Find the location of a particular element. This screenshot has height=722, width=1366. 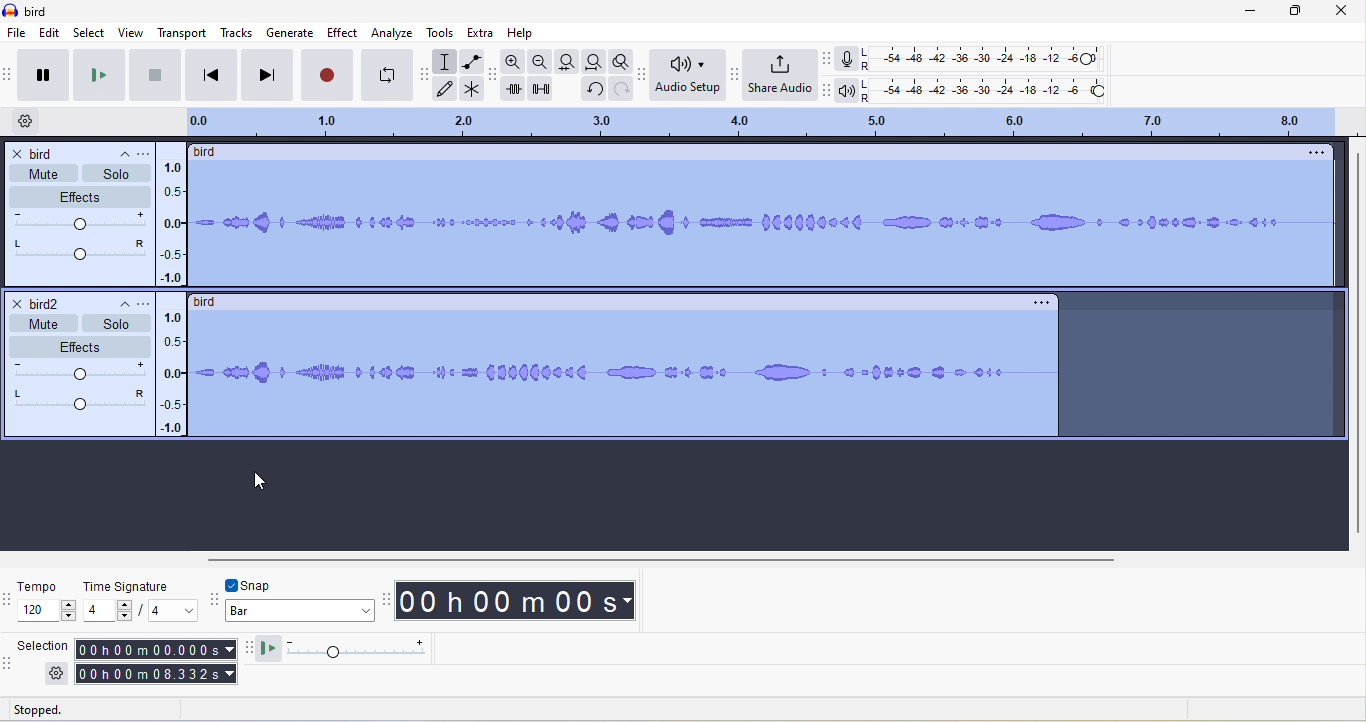

00 h 00 m 00 s is located at coordinates (517, 601).